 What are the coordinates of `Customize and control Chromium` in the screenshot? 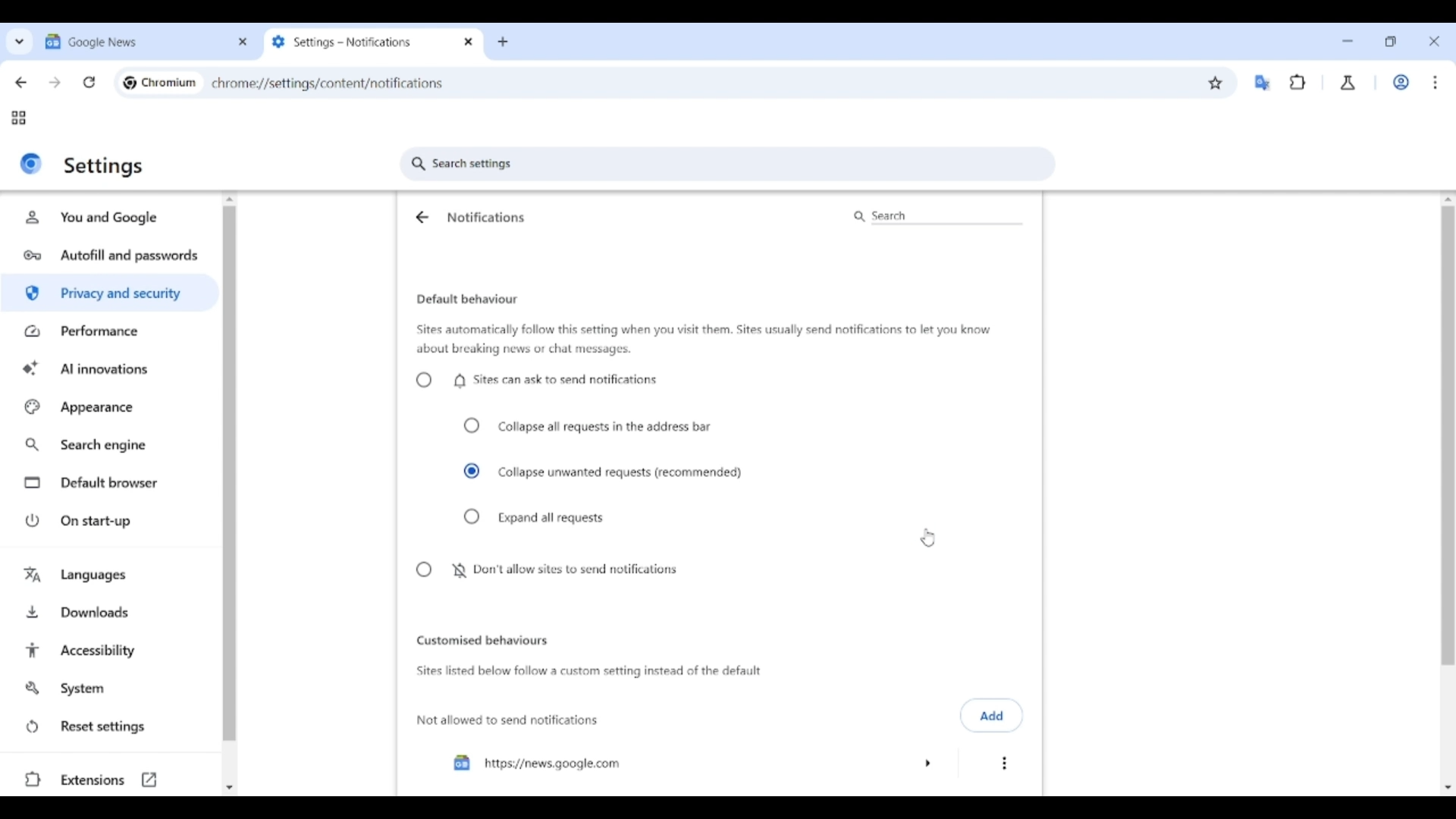 It's located at (1435, 82).